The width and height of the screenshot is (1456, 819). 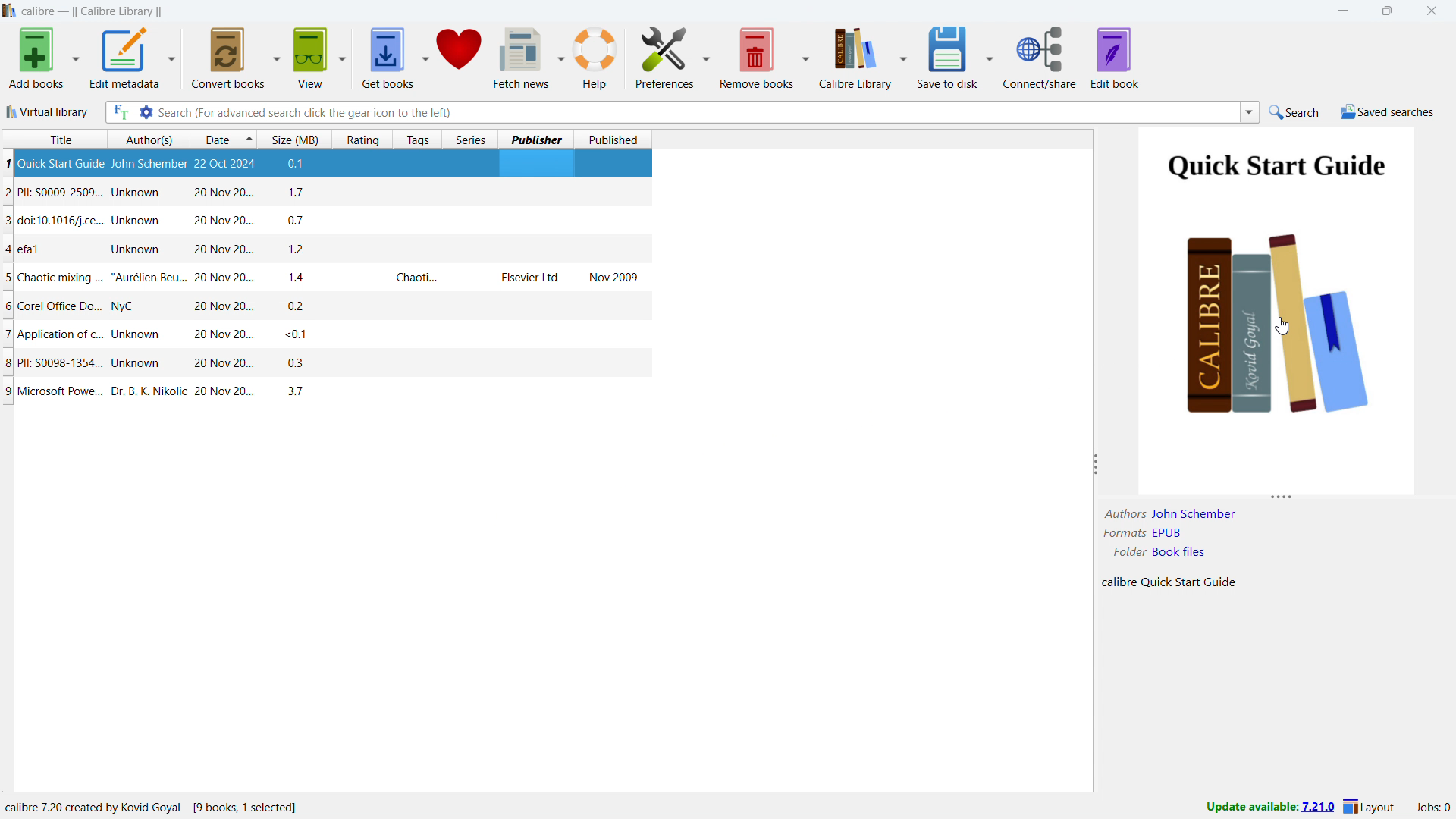 I want to click on Quick Start Guide, so click(x=1189, y=582).